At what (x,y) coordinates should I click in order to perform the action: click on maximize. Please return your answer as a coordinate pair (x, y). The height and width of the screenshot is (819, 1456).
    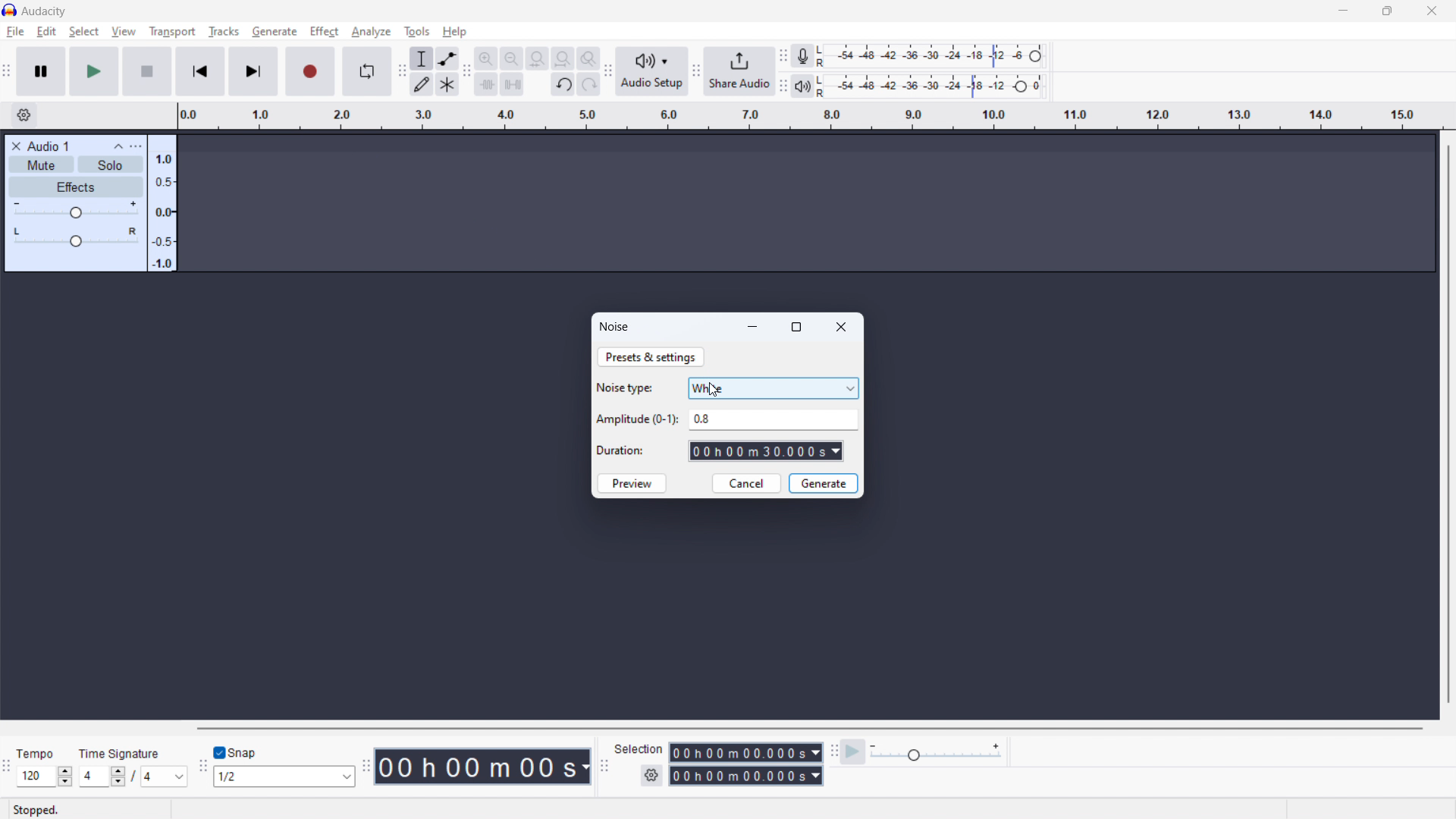
    Looking at the image, I should click on (1386, 11).